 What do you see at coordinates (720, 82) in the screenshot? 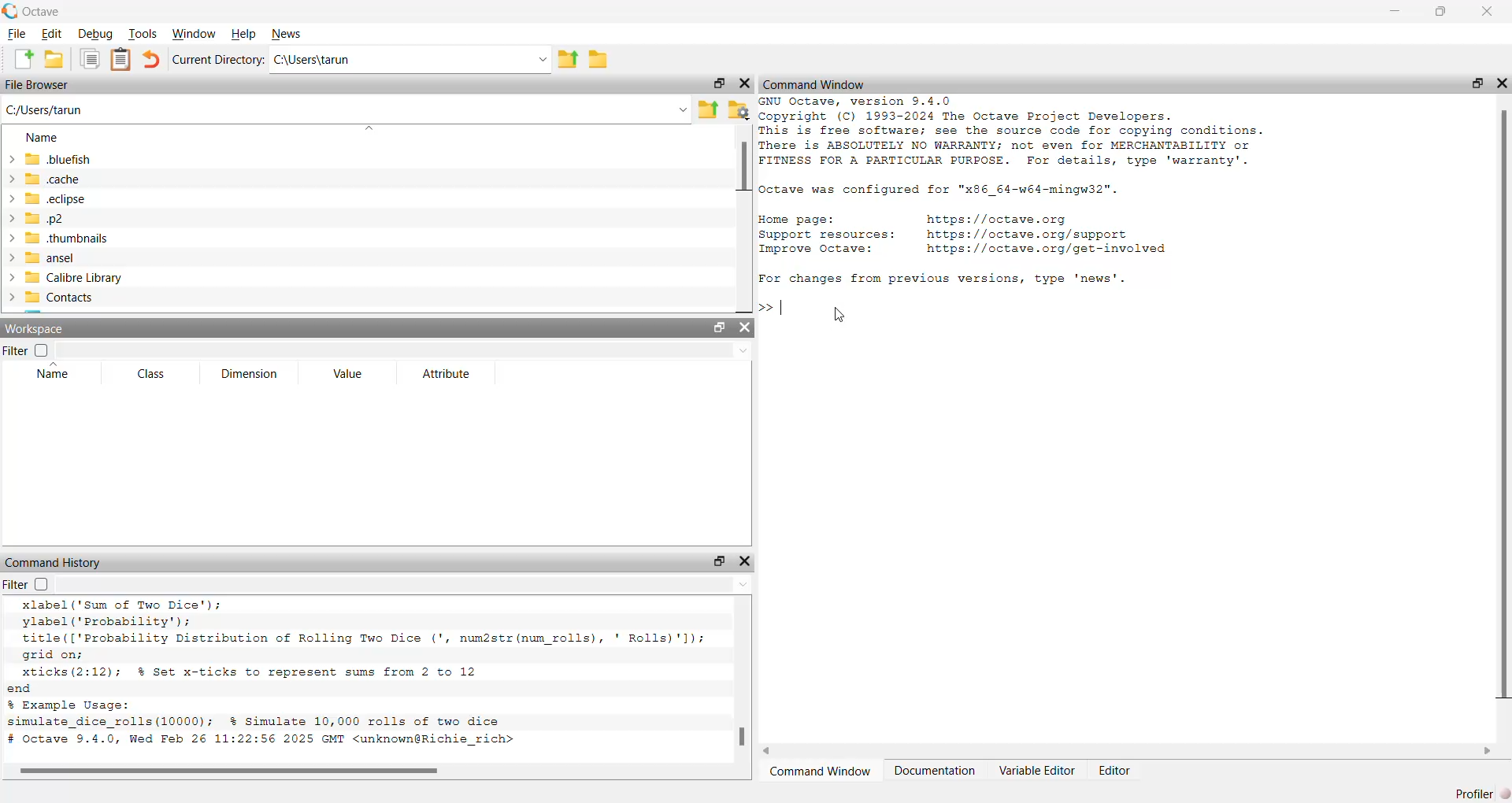
I see `Maximize` at bounding box center [720, 82].